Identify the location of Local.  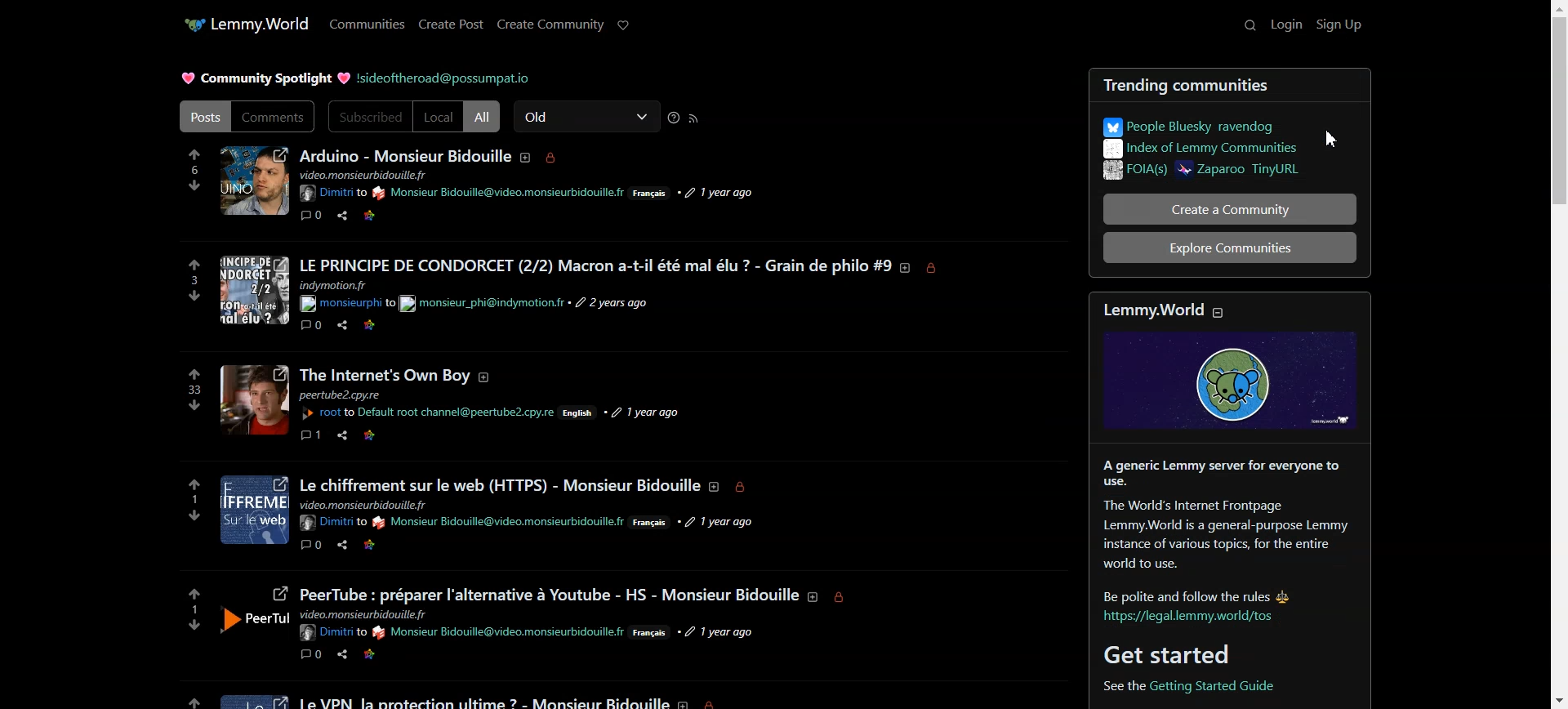
(438, 117).